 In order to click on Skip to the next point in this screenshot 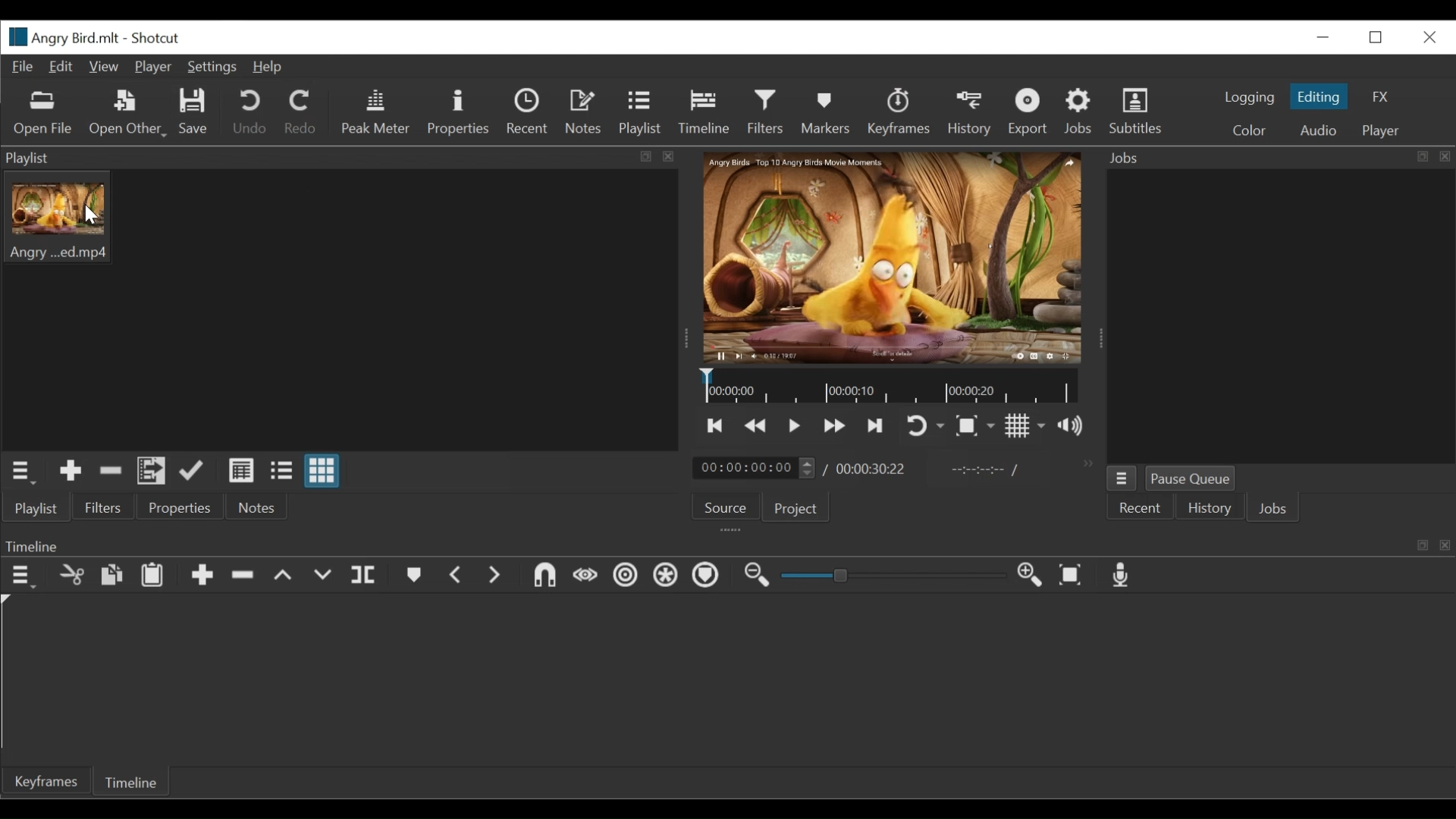, I will do `click(877, 425)`.